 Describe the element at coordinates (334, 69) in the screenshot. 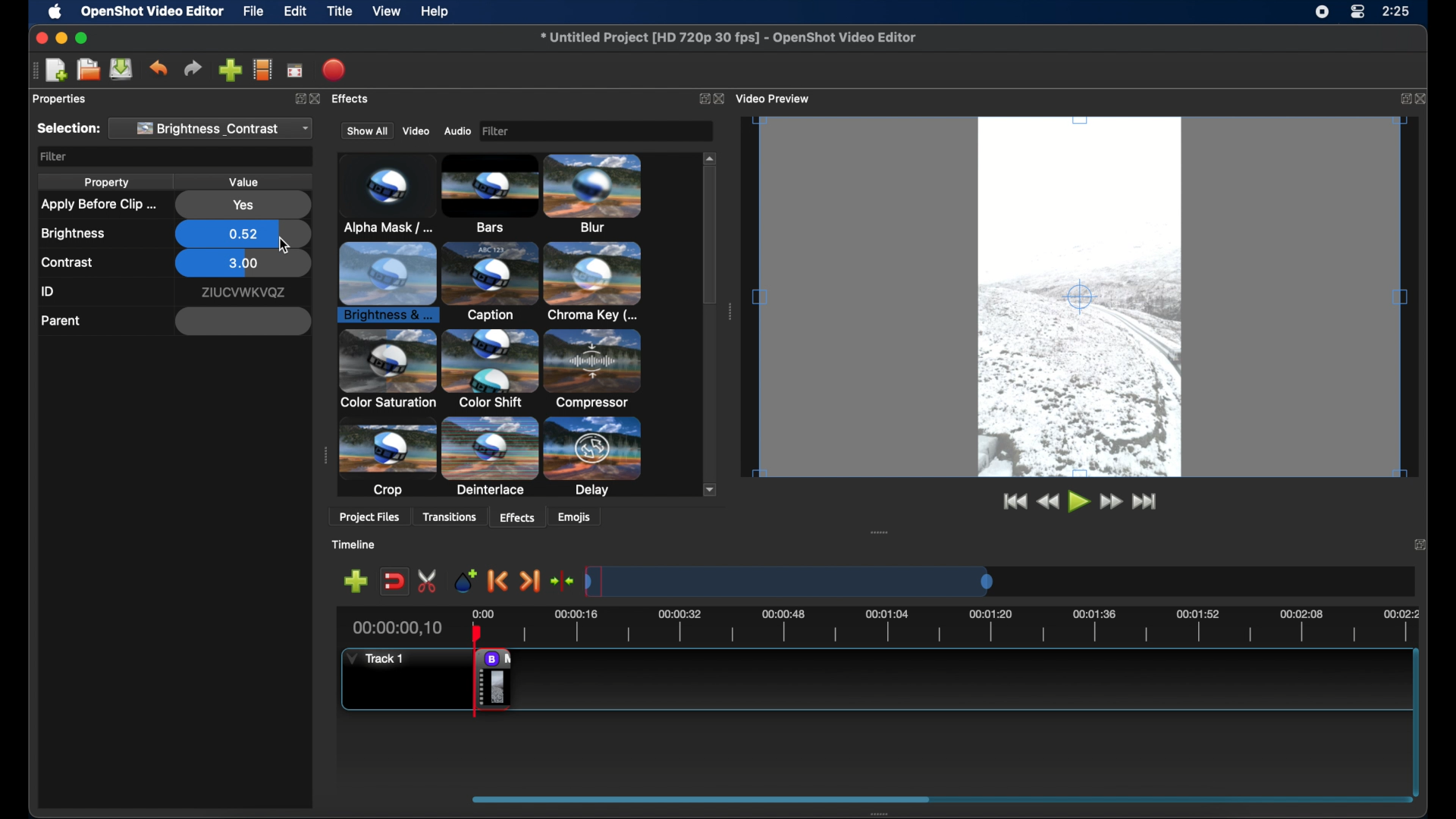

I see `export video` at that location.